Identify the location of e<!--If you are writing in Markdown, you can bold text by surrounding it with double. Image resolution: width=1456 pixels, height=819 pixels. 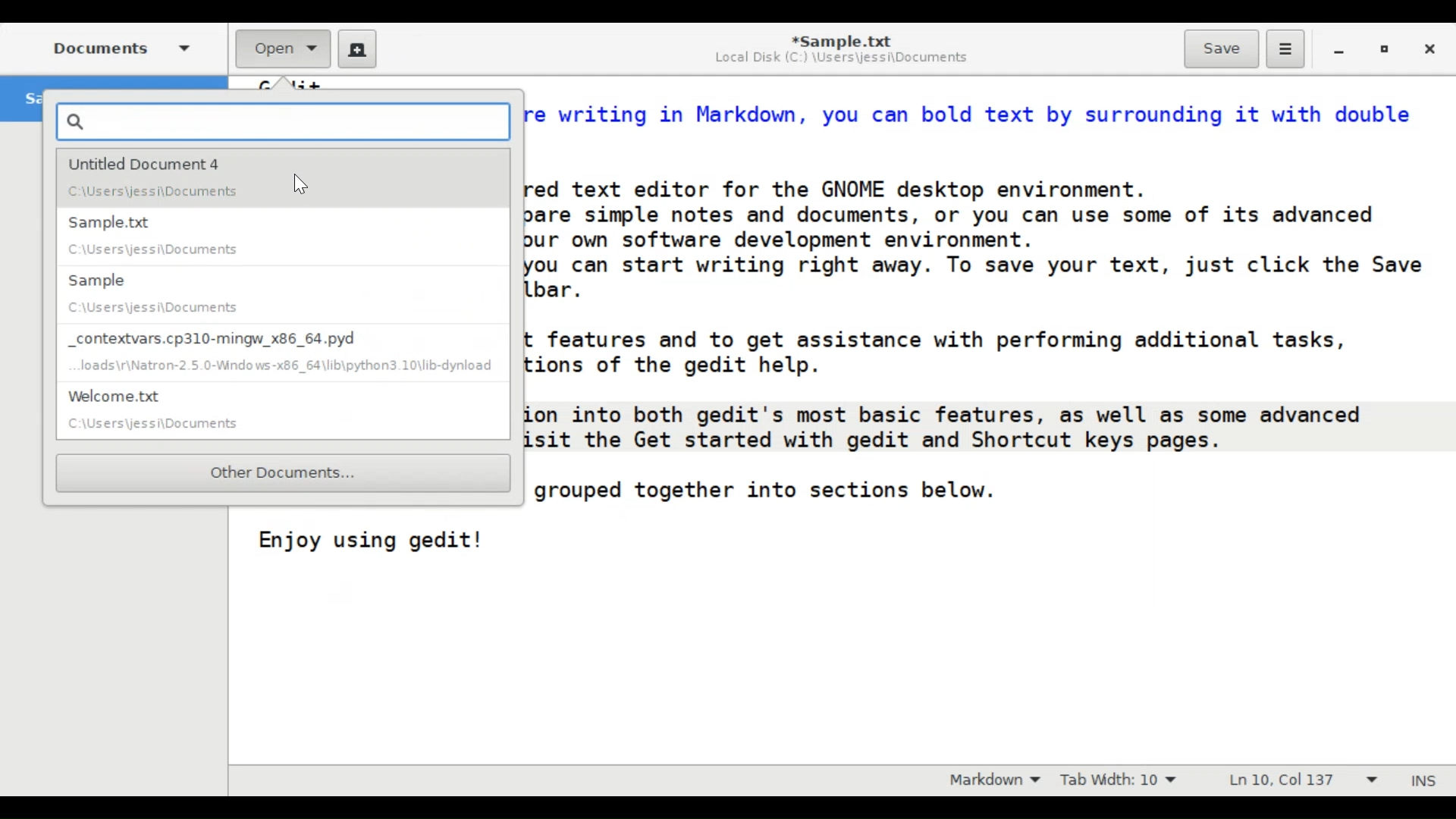
(974, 108).